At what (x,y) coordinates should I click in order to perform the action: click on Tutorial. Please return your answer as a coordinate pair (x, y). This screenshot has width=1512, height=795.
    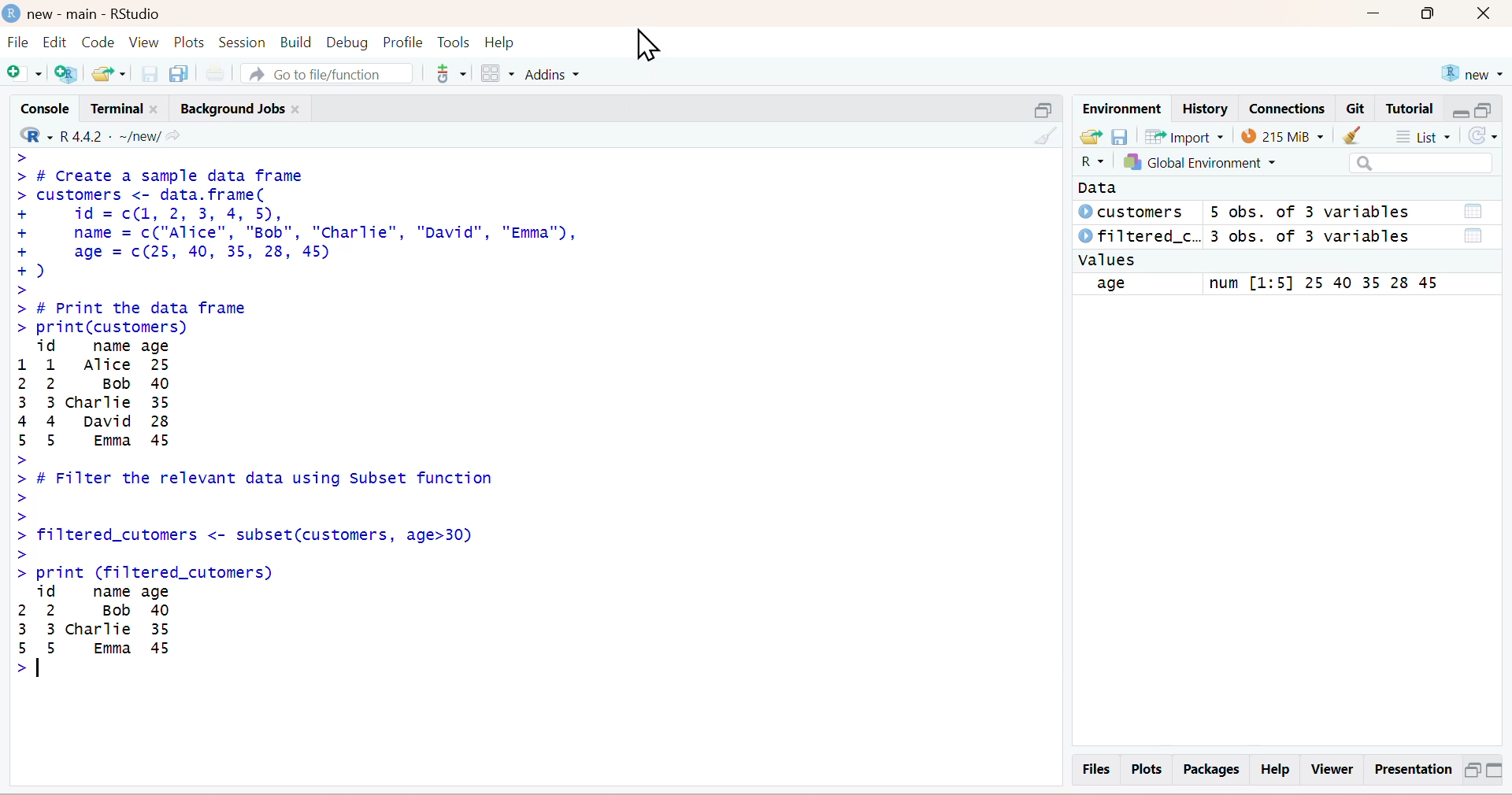
    Looking at the image, I should click on (1412, 109).